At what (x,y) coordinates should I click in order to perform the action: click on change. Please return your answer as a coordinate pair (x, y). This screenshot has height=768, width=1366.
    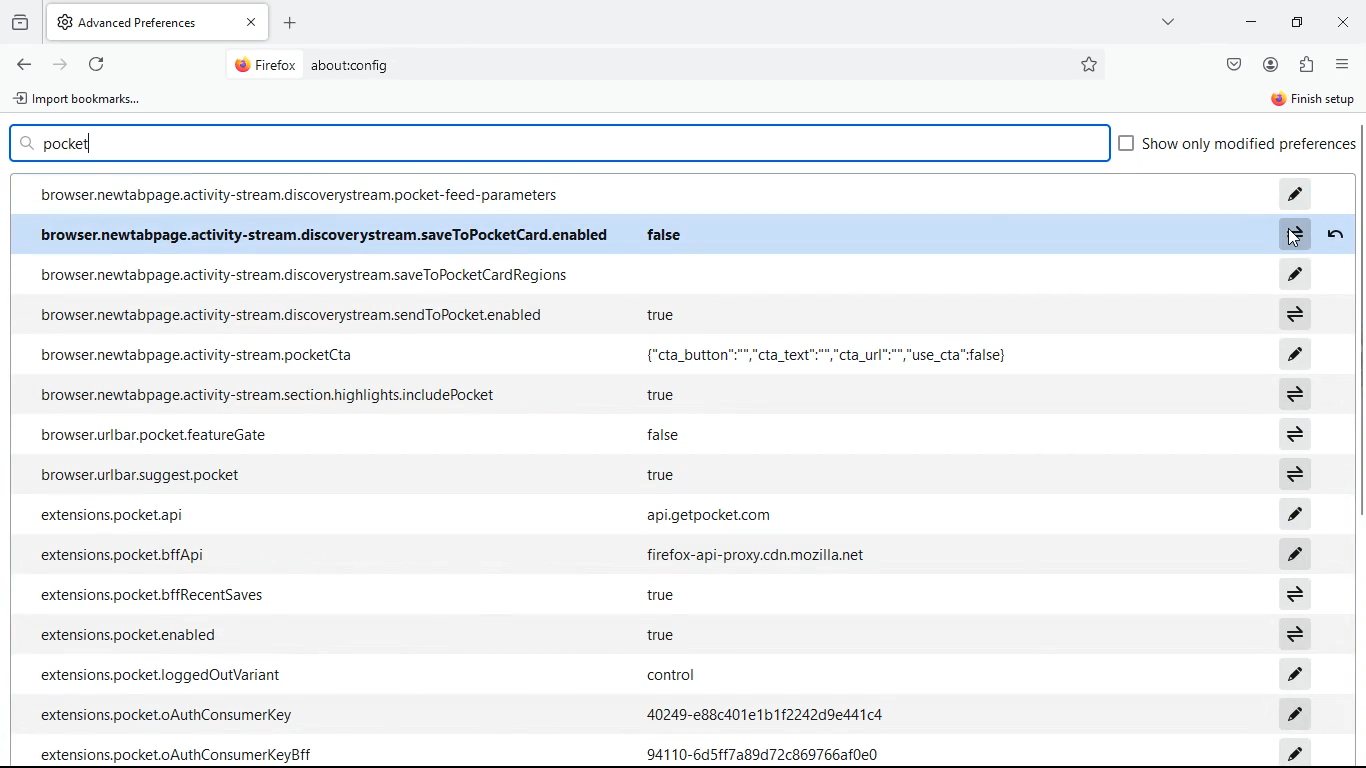
    Looking at the image, I should click on (1334, 235).